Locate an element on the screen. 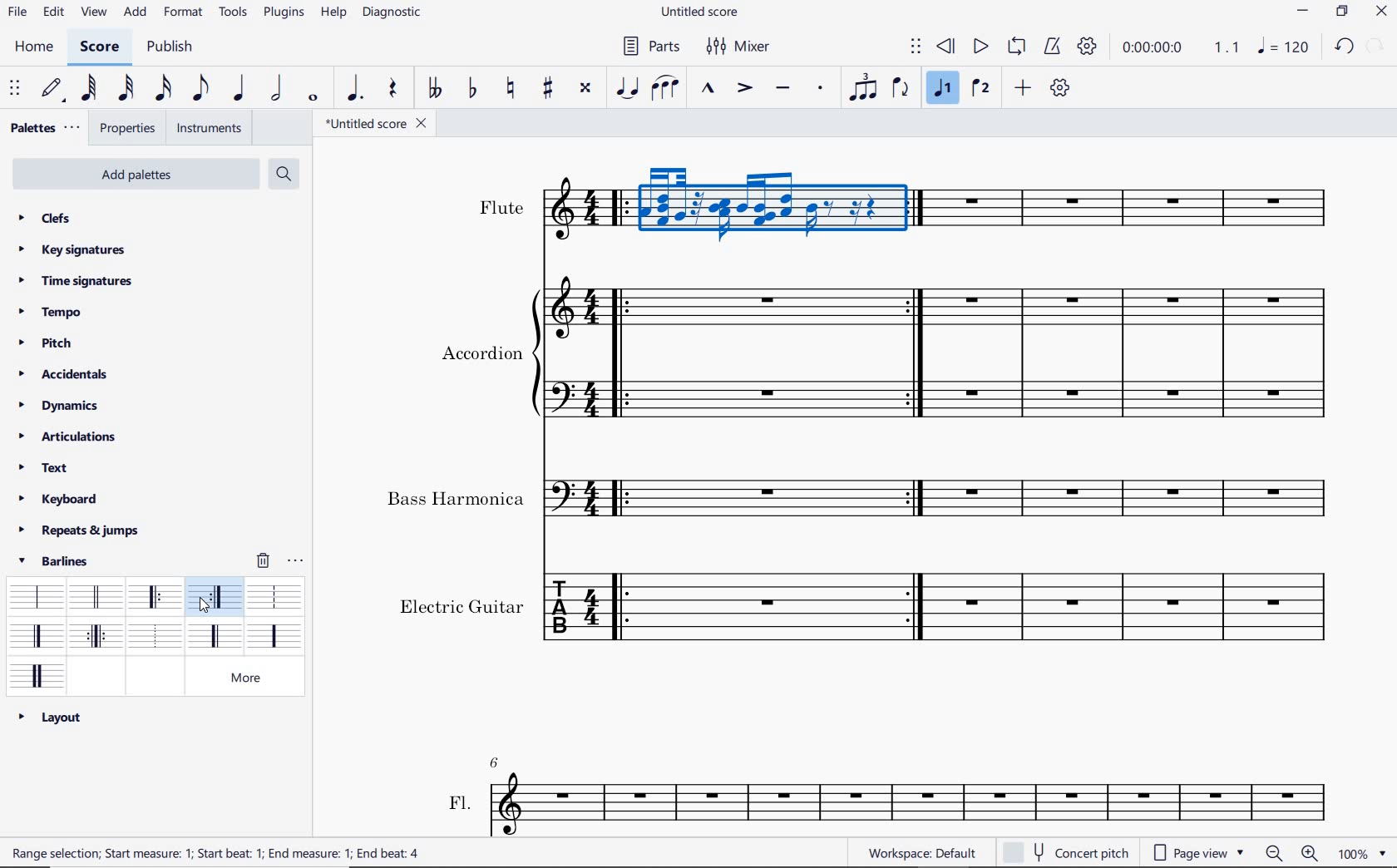  left (start) repeat sign added is located at coordinates (617, 207).